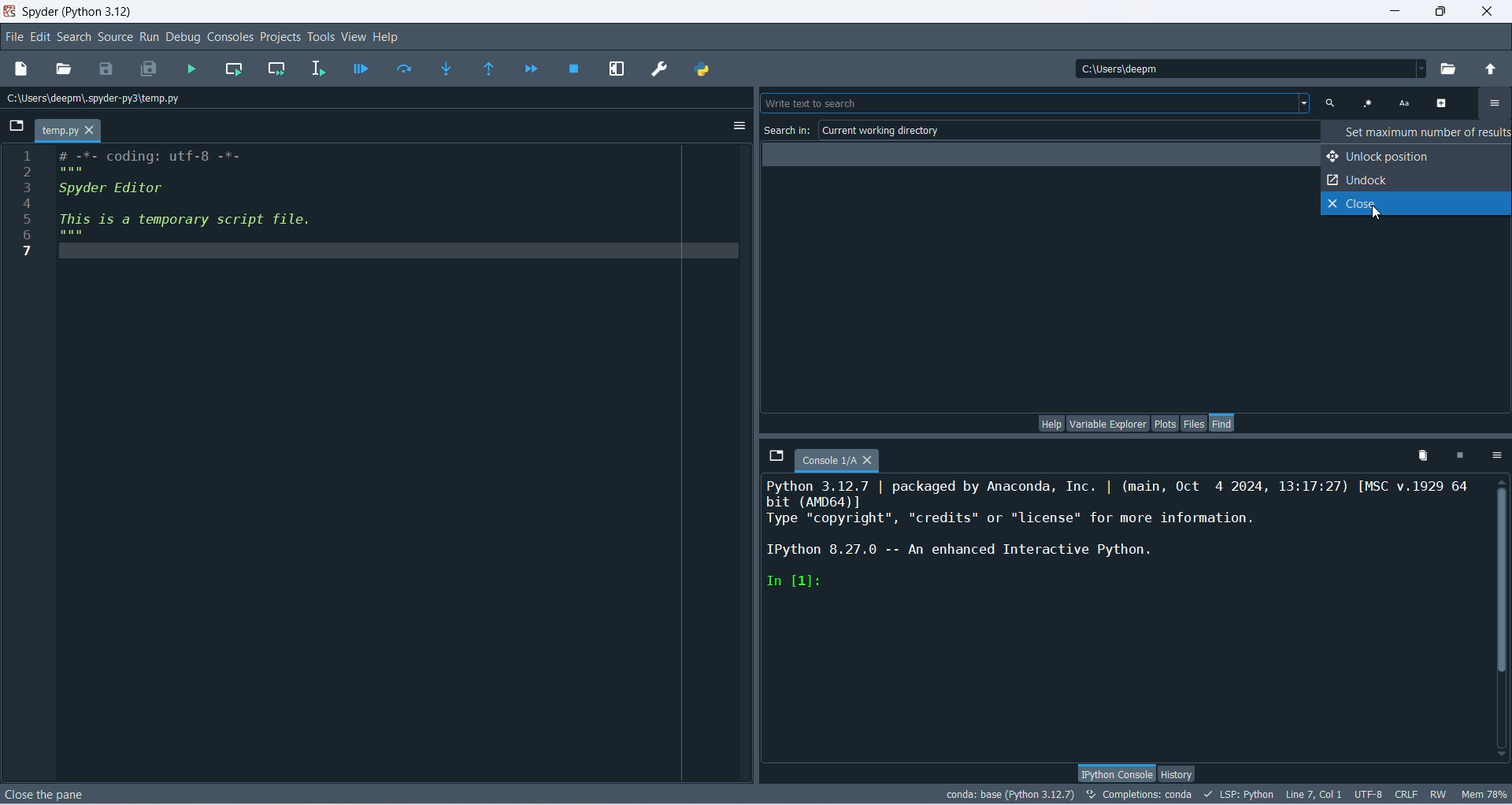  What do you see at coordinates (1418, 457) in the screenshot?
I see `remove` at bounding box center [1418, 457].